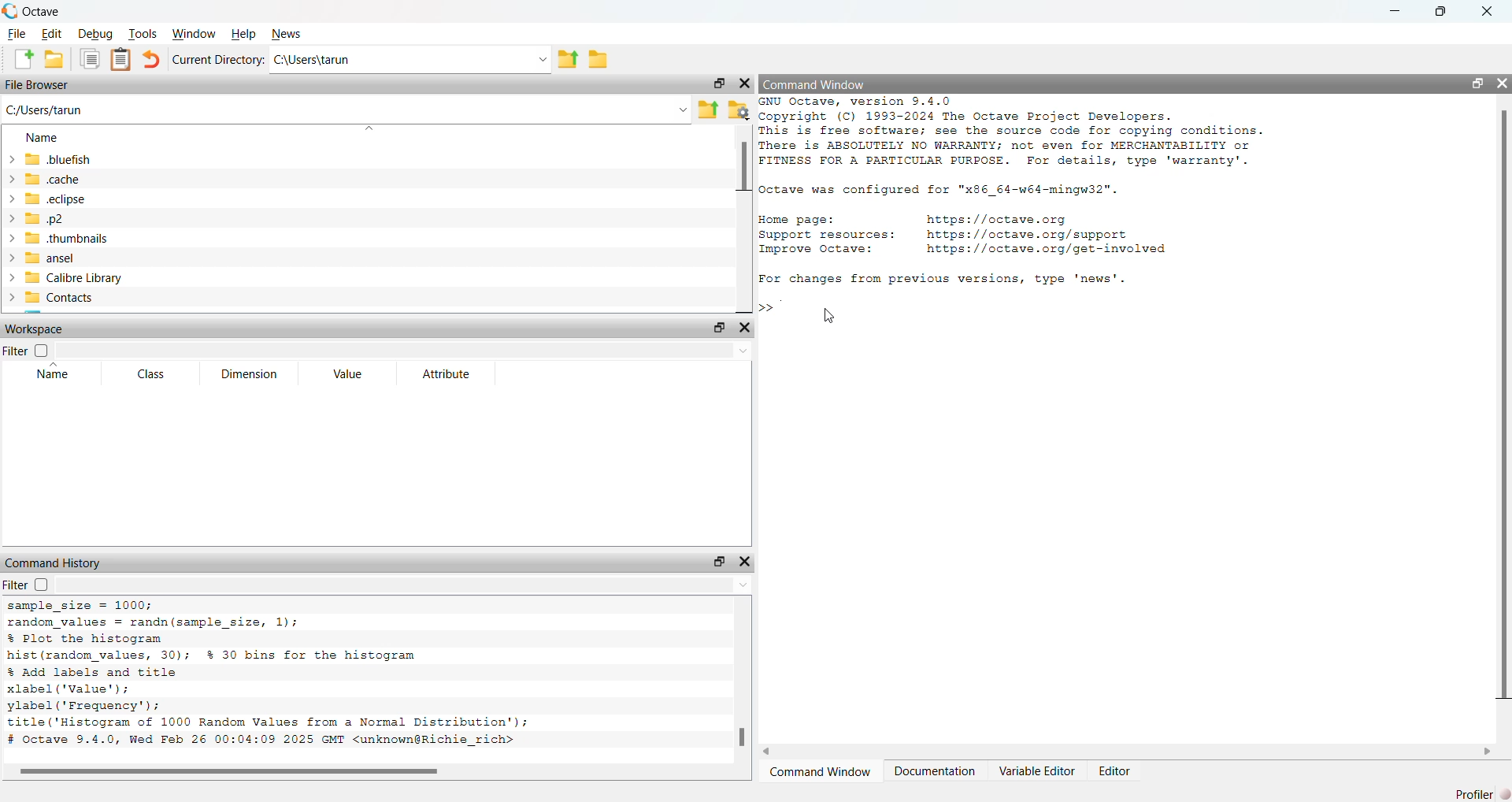  I want to click on Value, so click(348, 374).